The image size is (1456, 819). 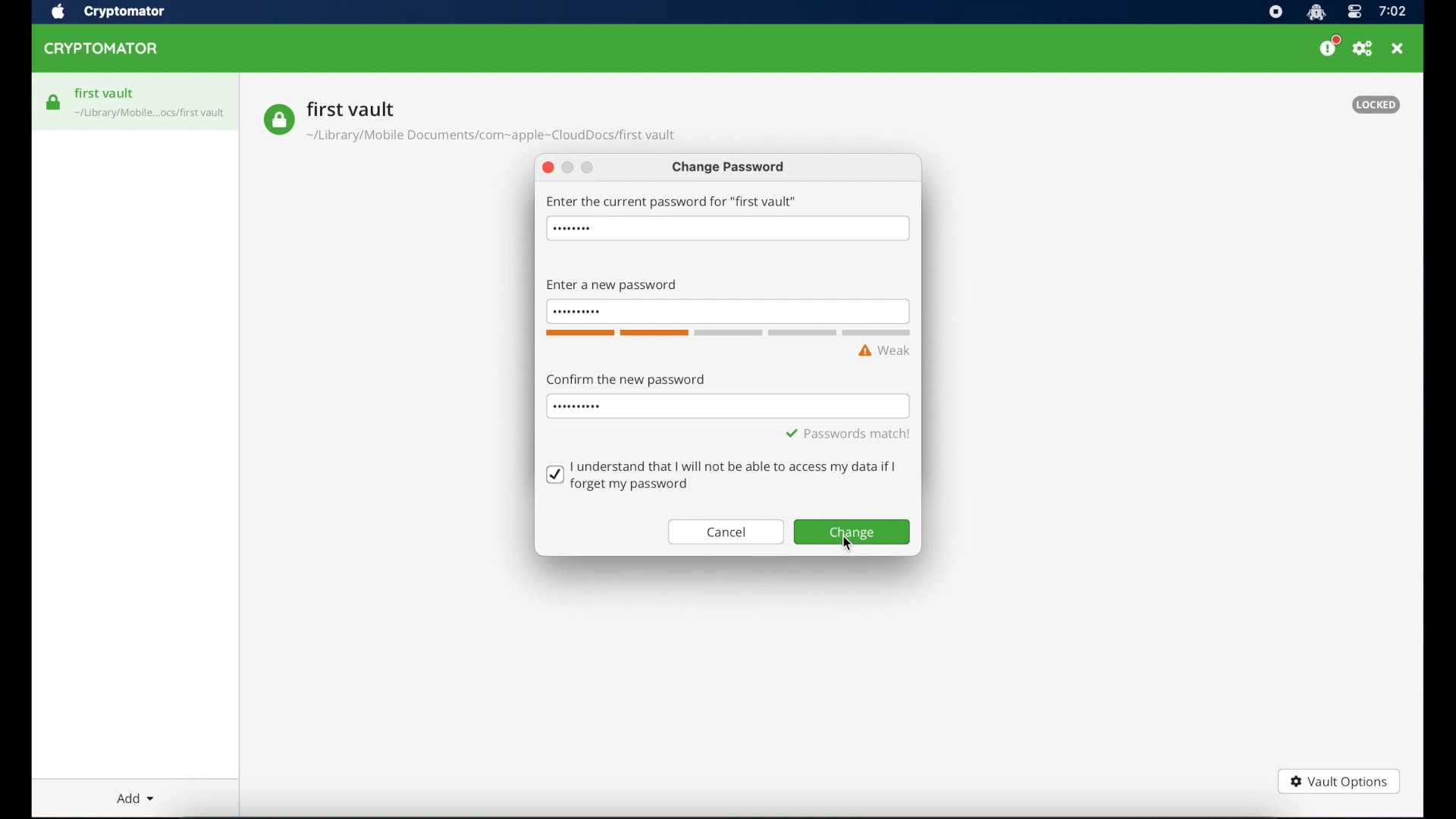 What do you see at coordinates (574, 312) in the screenshot?
I see `invisible password` at bounding box center [574, 312].